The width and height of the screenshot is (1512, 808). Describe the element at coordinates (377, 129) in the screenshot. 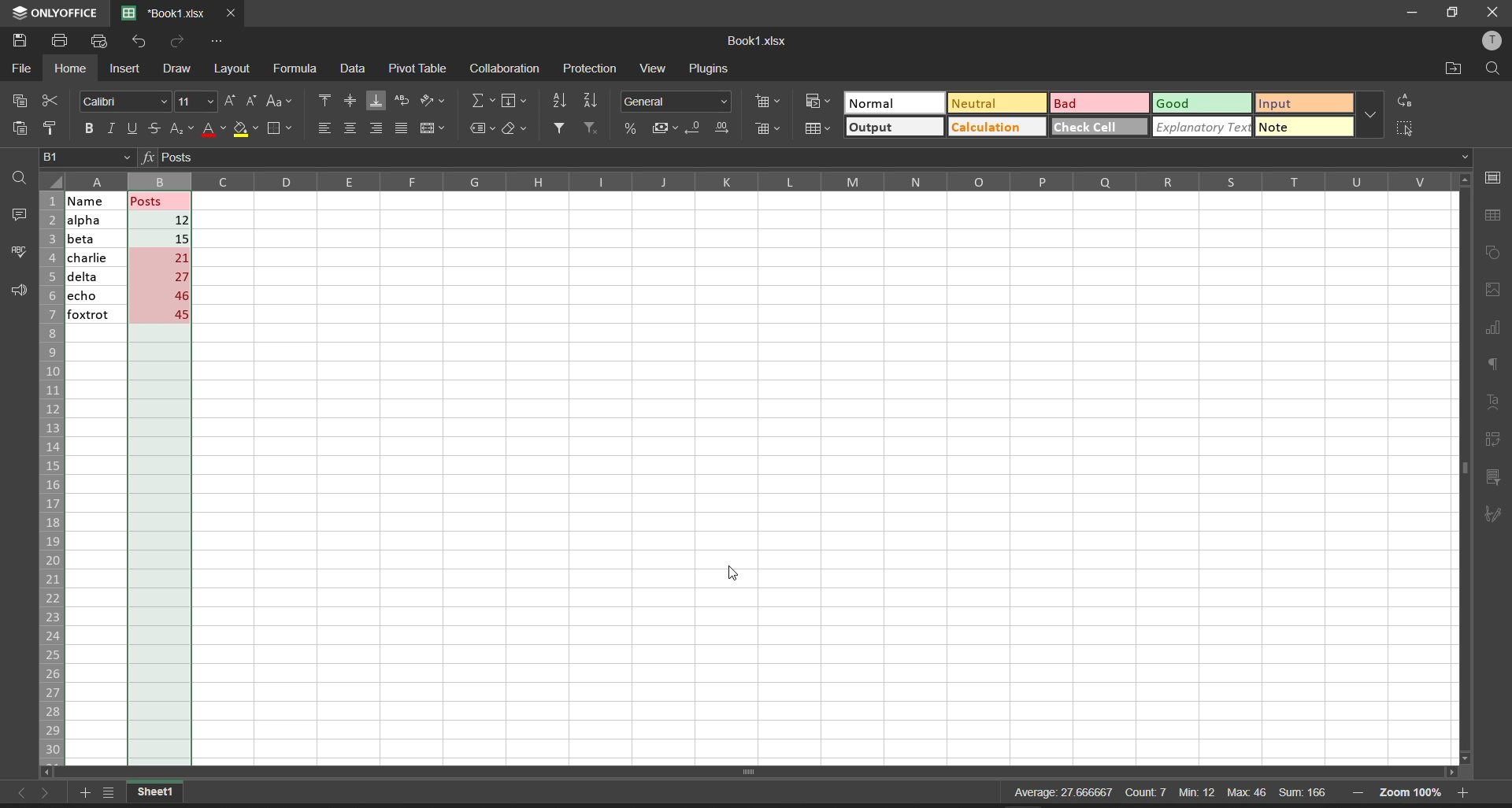

I see `align right` at that location.